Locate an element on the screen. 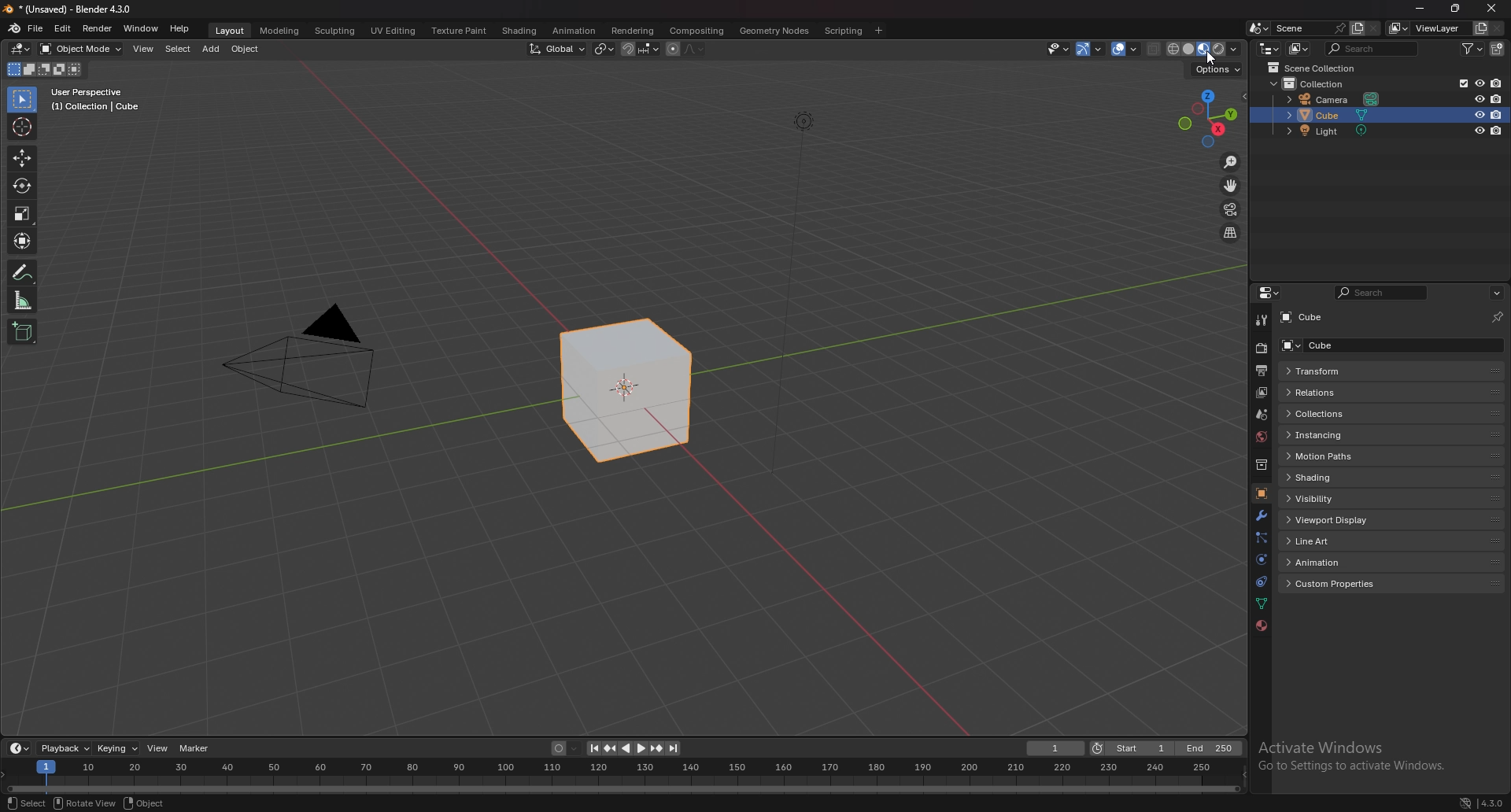 The width and height of the screenshot is (1511, 812). object mode is located at coordinates (81, 49).